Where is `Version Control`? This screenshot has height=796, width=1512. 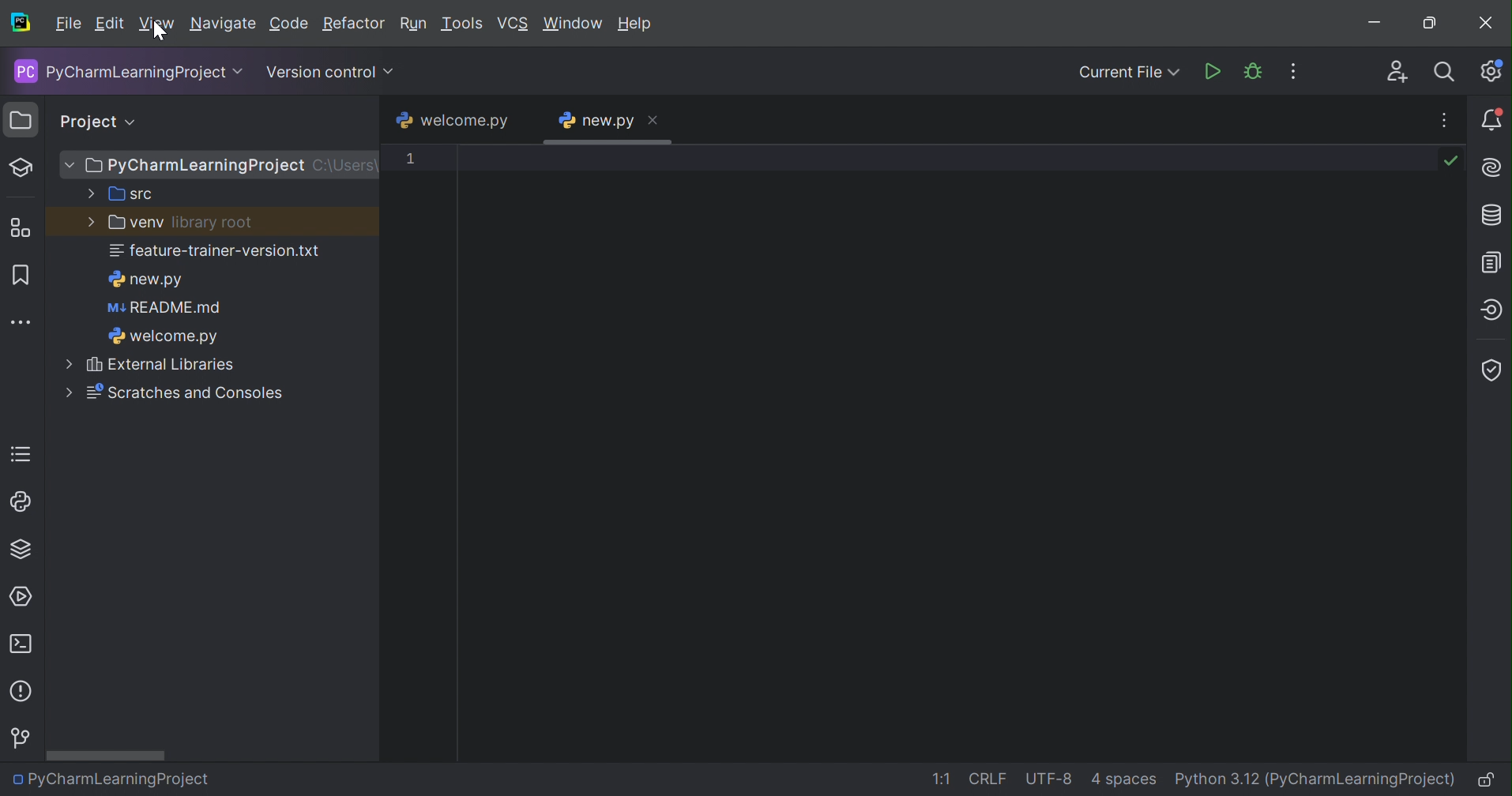 Version Control is located at coordinates (22, 738).